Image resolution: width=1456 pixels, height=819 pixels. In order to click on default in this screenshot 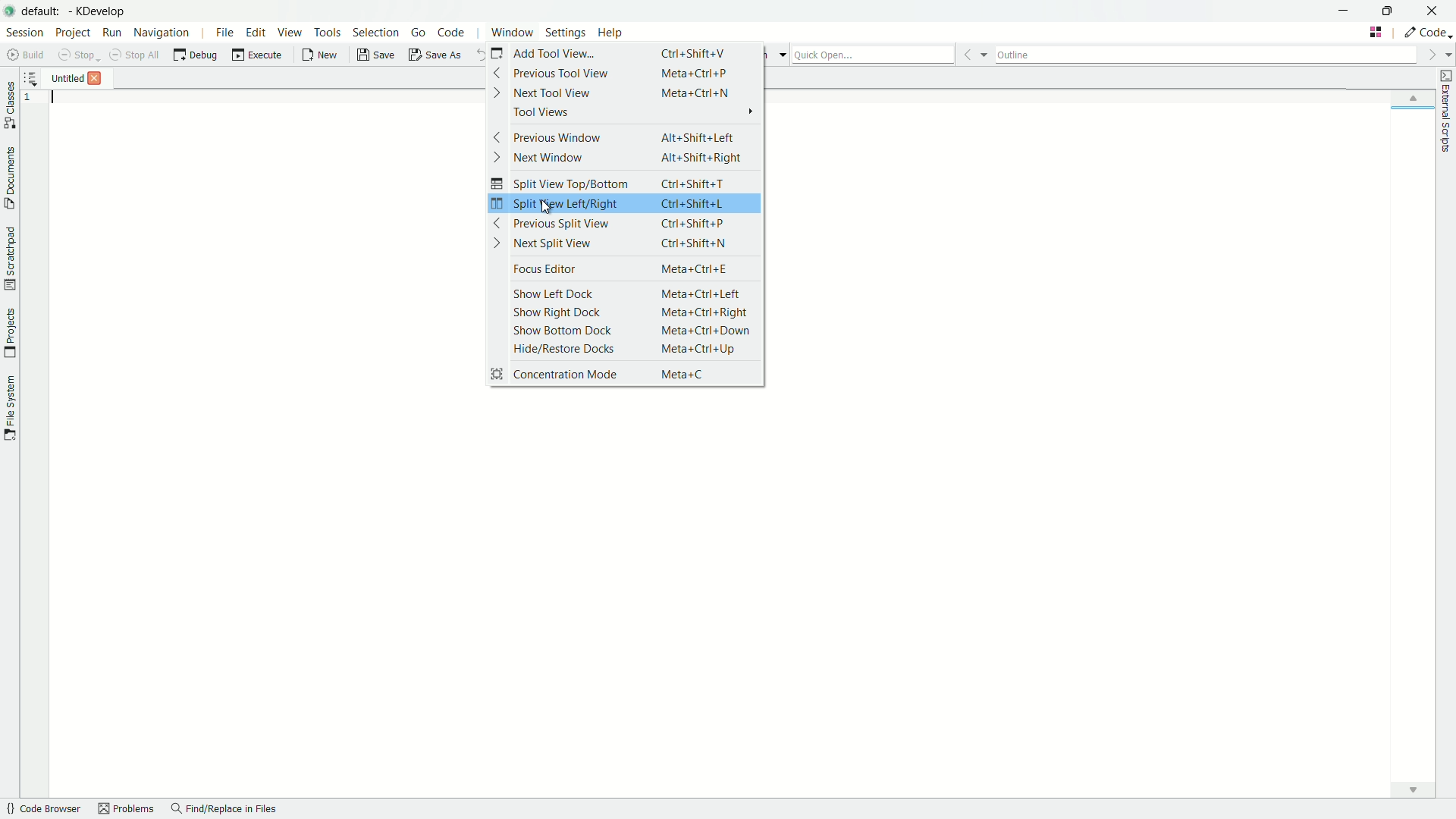, I will do `click(42, 11)`.